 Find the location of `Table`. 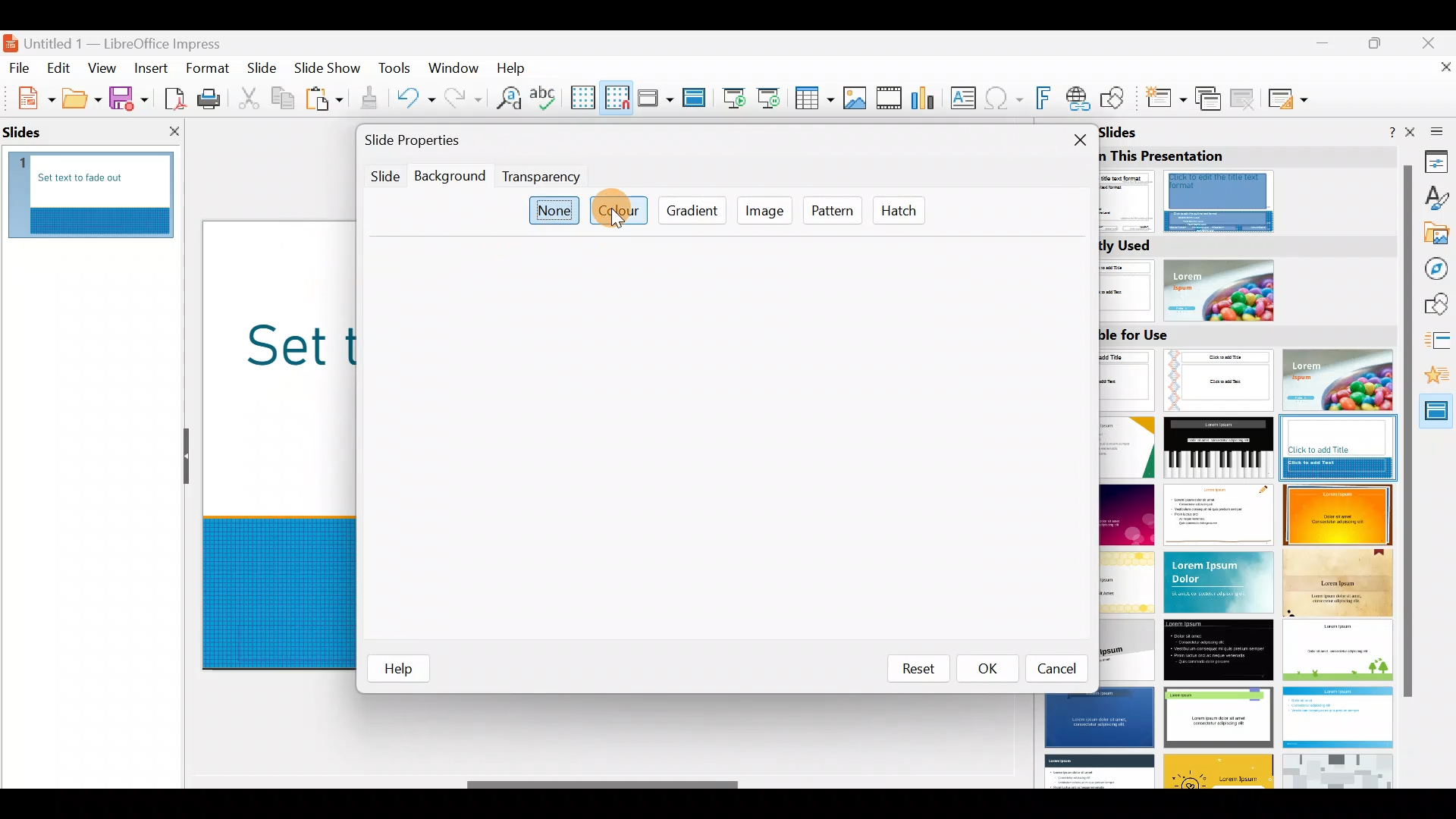

Table is located at coordinates (815, 99).